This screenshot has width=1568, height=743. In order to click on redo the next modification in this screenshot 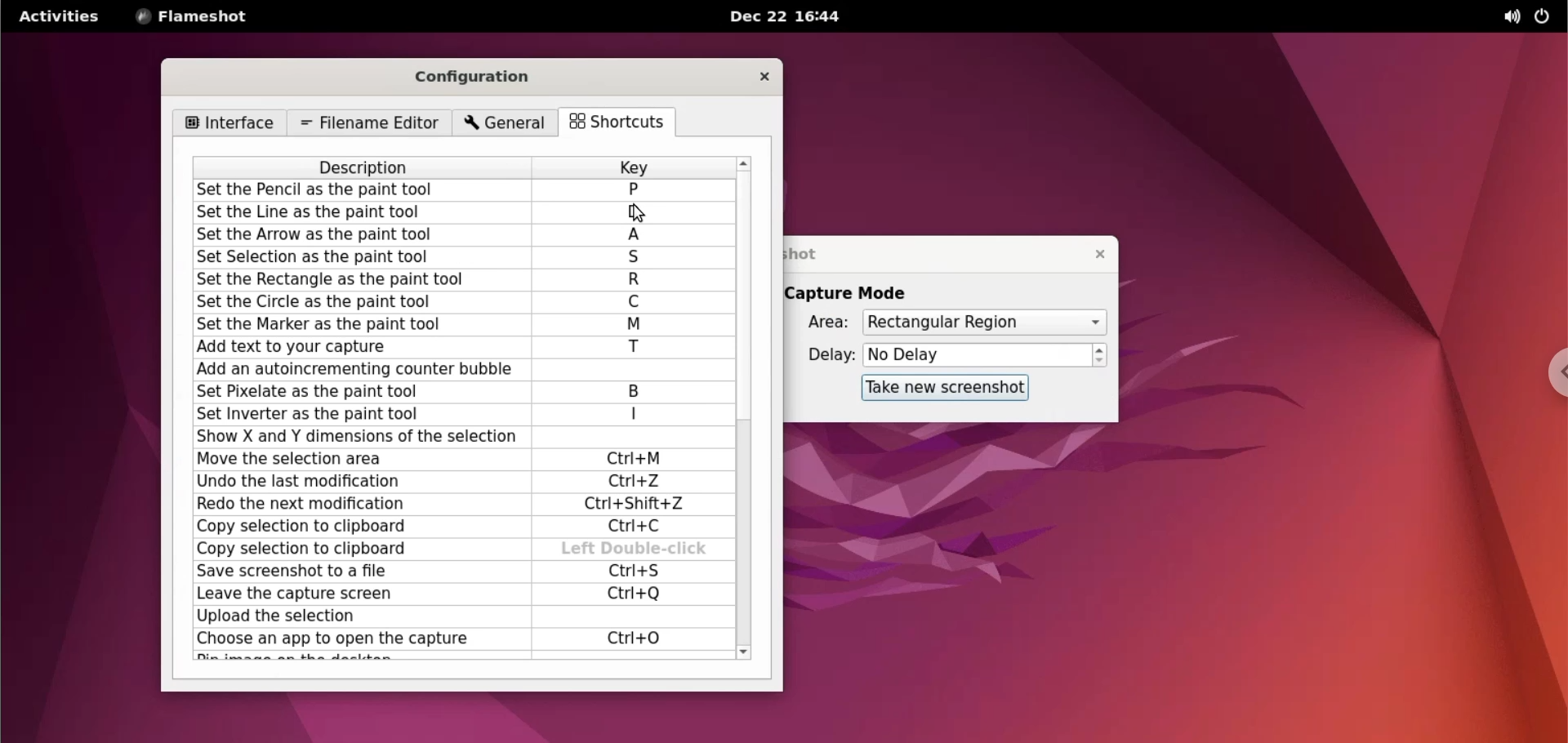, I will do `click(354, 506)`.